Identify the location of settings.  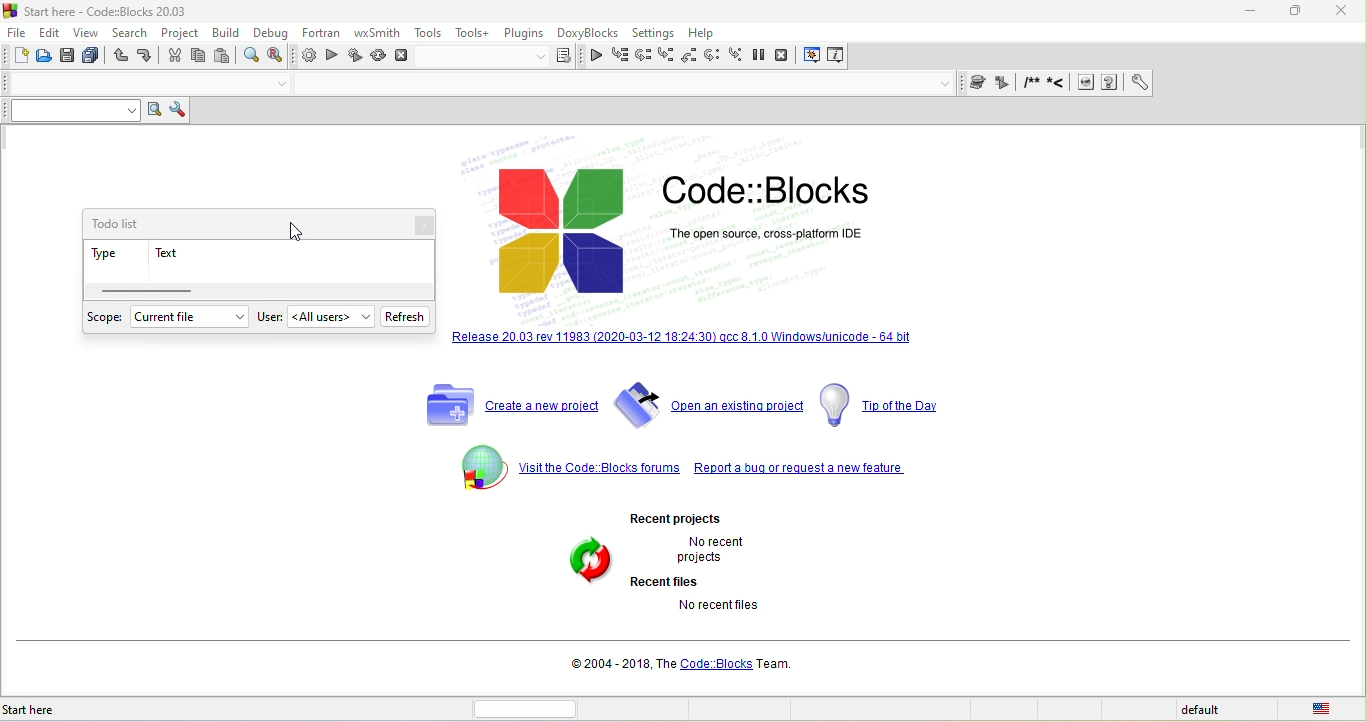
(653, 34).